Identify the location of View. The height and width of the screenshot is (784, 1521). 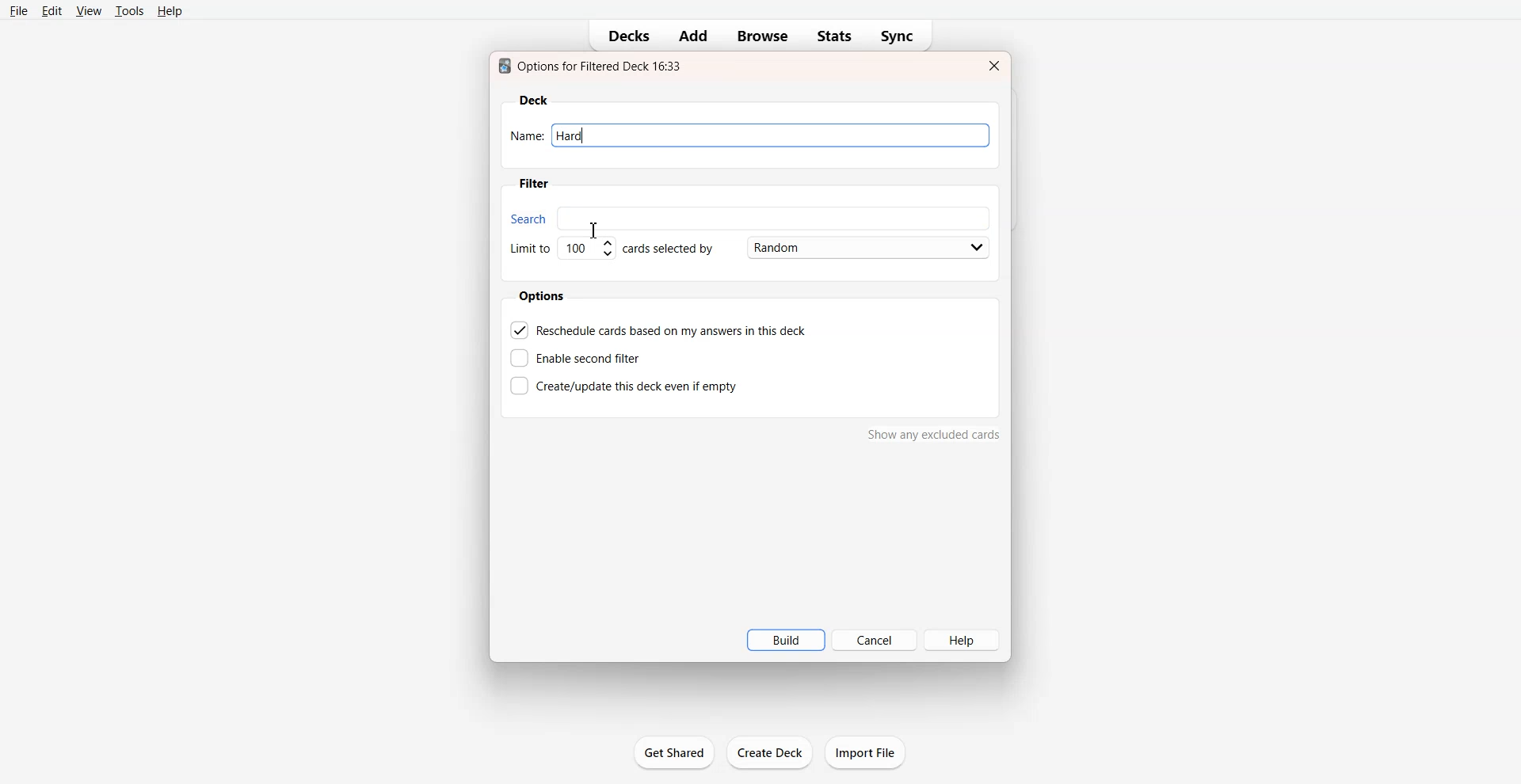
(89, 10).